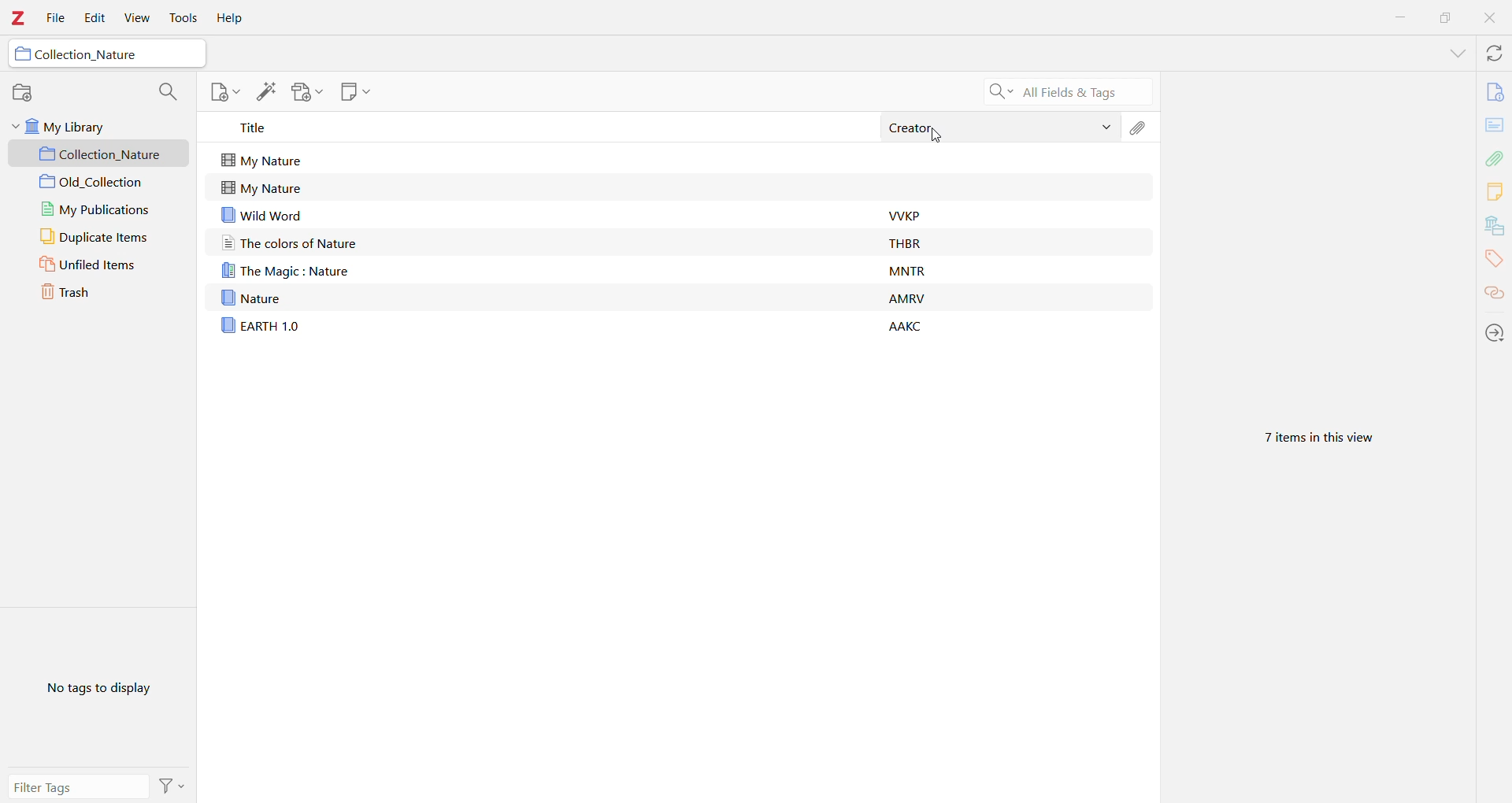 The height and width of the screenshot is (803, 1512). What do you see at coordinates (1062, 91) in the screenshot?
I see `Search` at bounding box center [1062, 91].